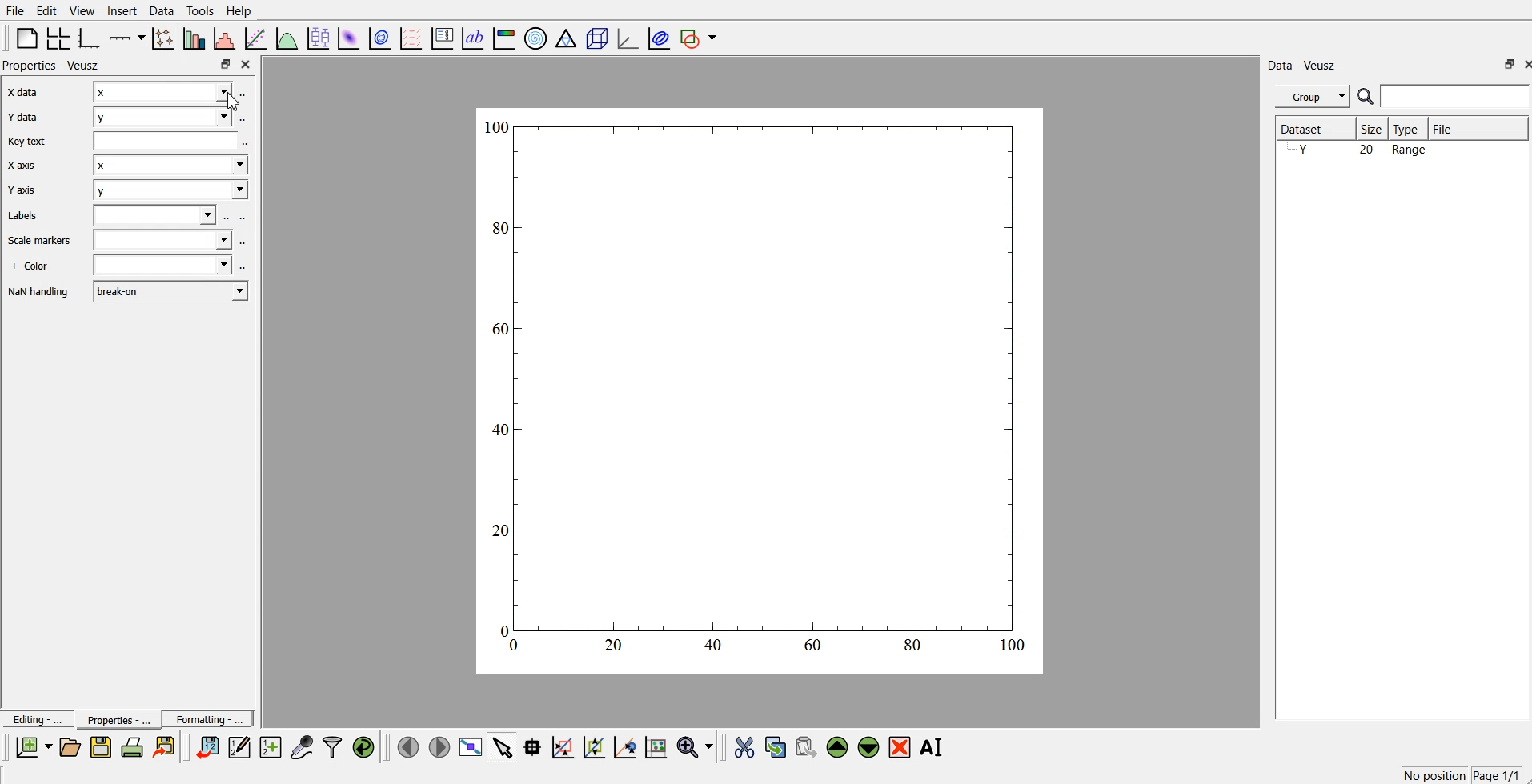  I want to click on Capture remote data, so click(303, 746).